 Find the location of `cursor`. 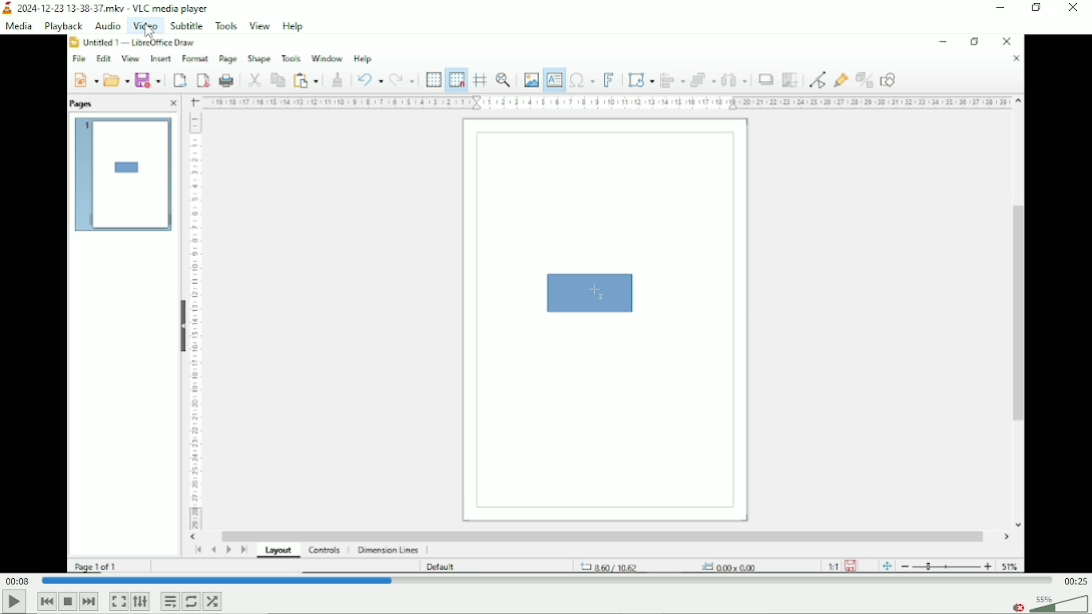

cursor is located at coordinates (149, 32).